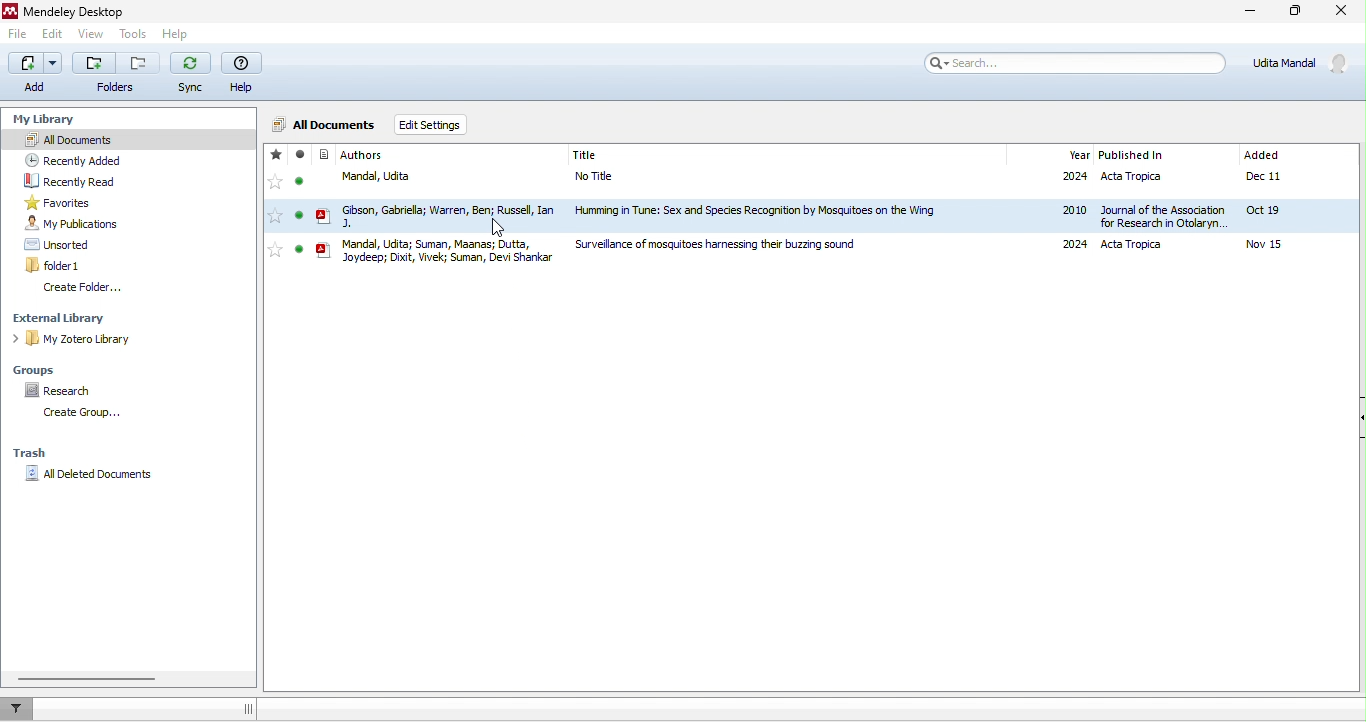 The height and width of the screenshot is (722, 1366). I want to click on minimize, so click(1247, 12).